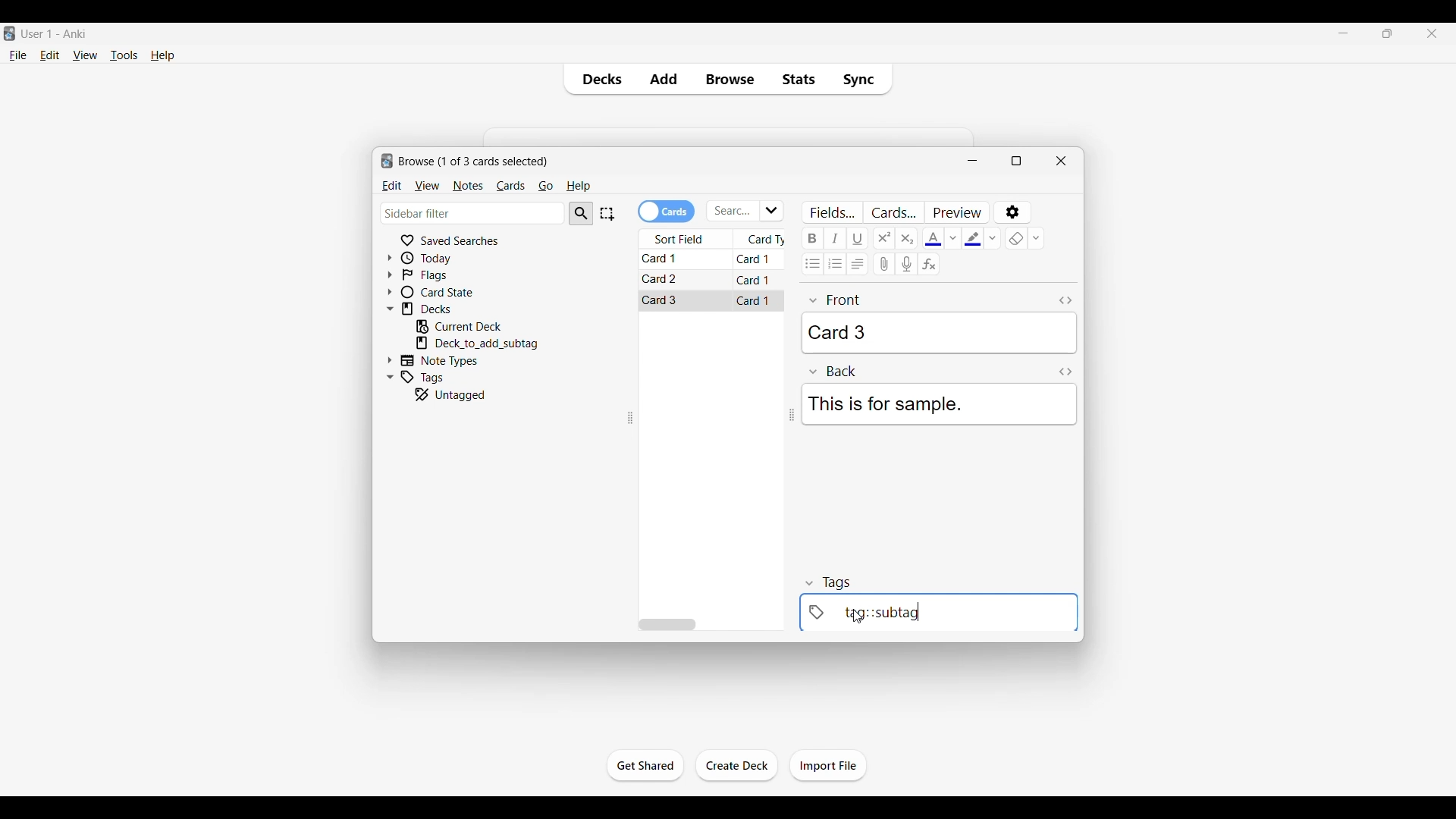  I want to click on Toggle cards/notes, so click(666, 212).